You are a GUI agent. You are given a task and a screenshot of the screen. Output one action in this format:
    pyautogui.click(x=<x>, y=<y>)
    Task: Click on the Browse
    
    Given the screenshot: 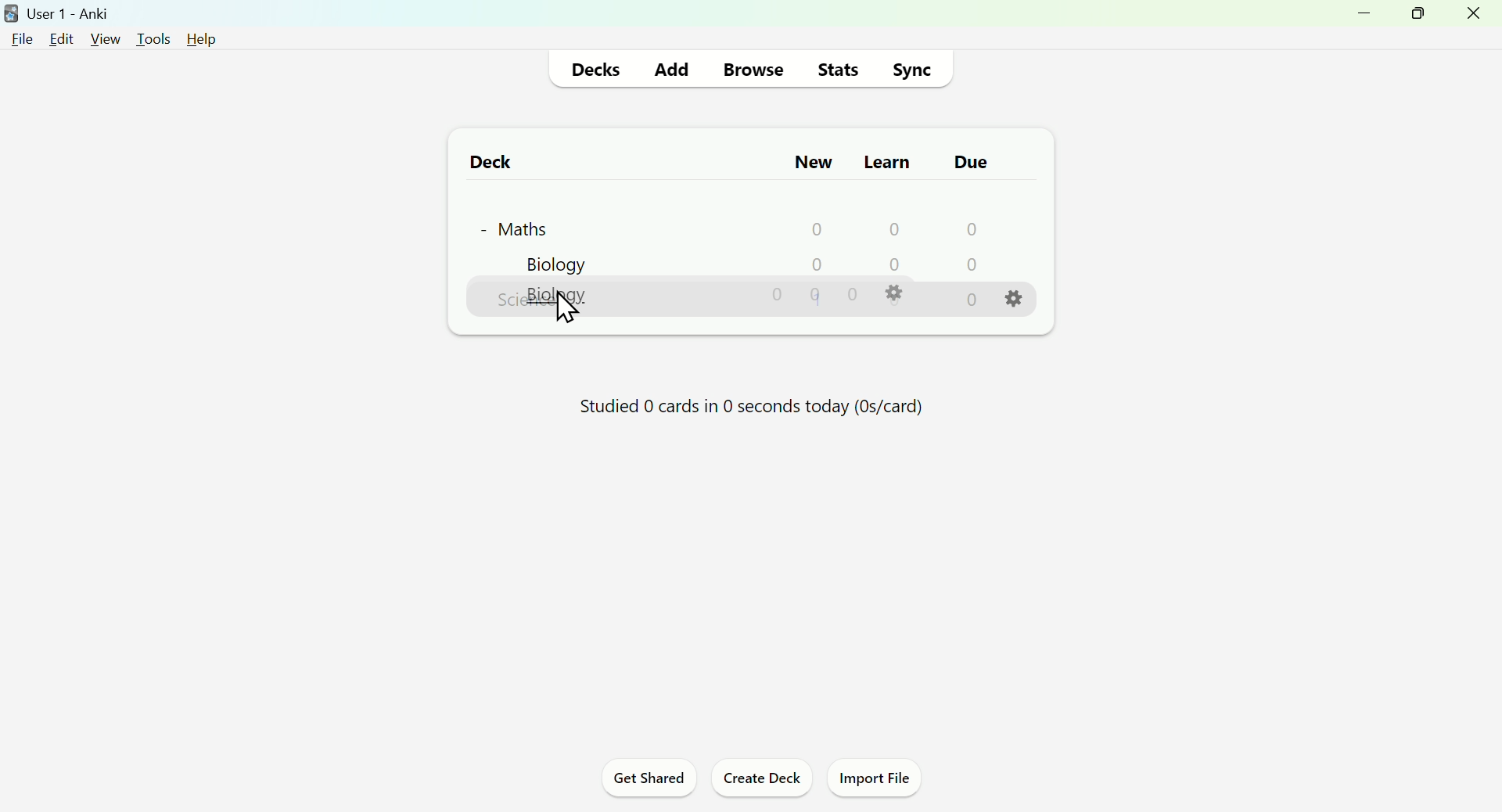 What is the action you would take?
    pyautogui.click(x=749, y=71)
    